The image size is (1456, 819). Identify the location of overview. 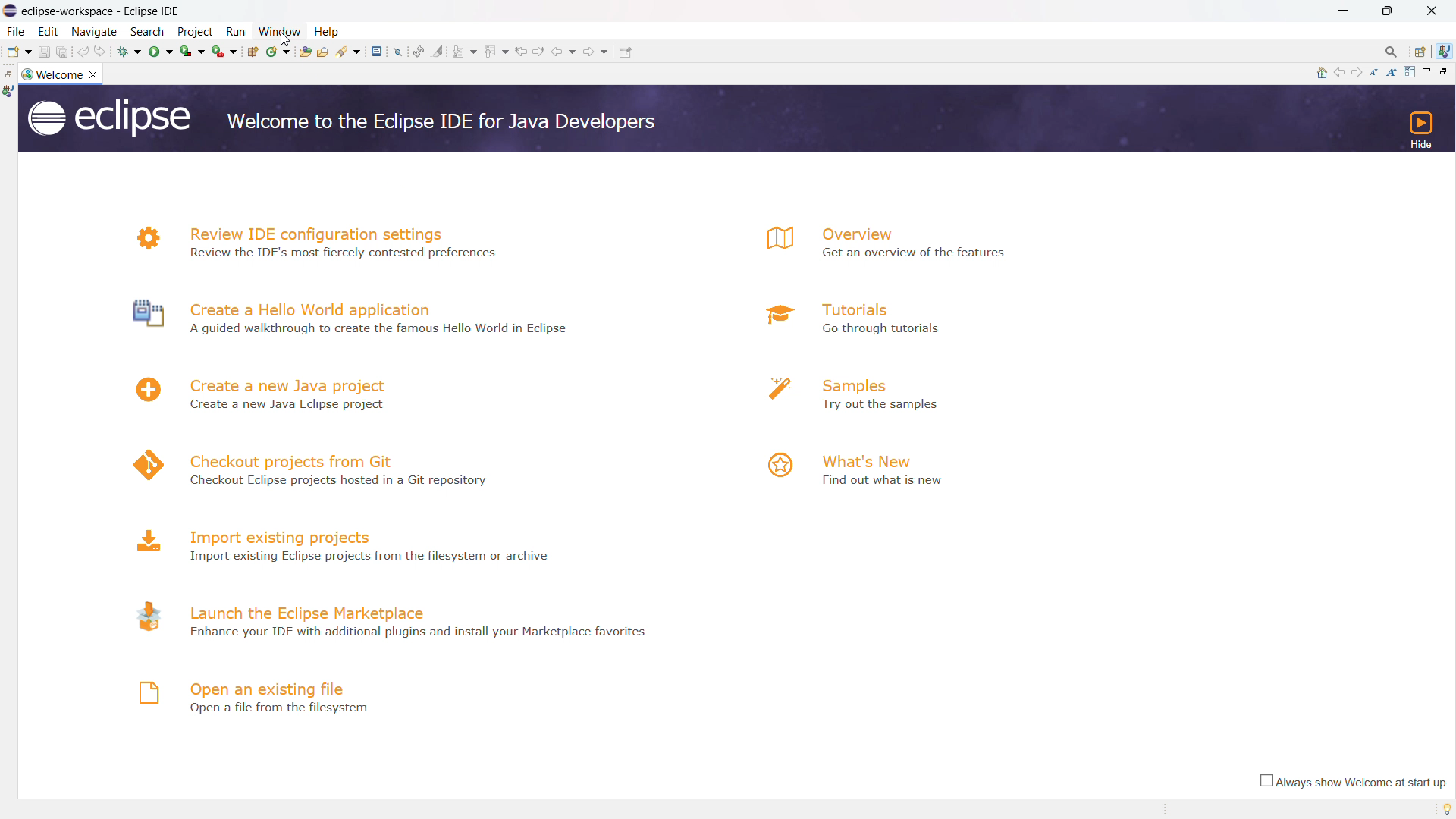
(858, 233).